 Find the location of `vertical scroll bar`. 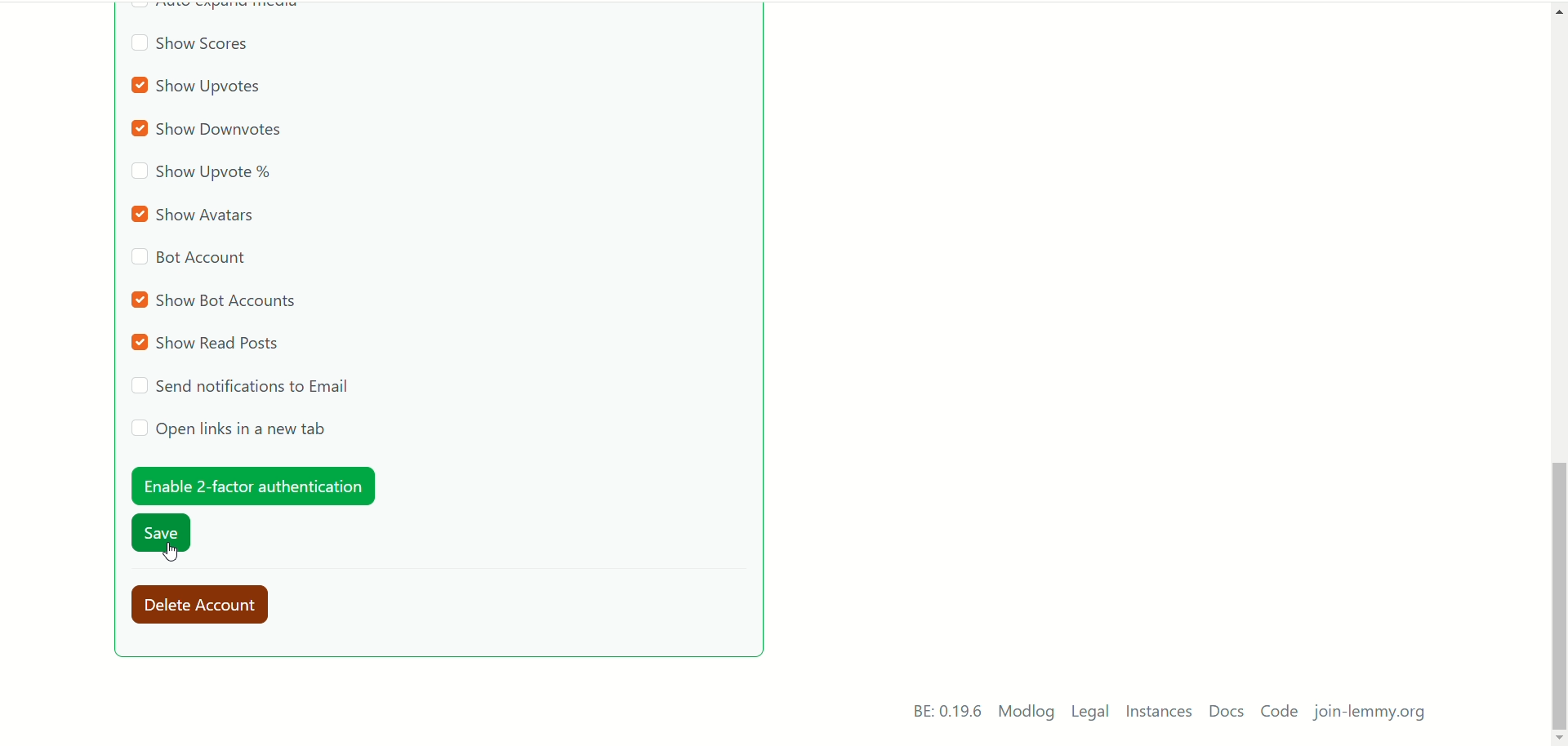

vertical scroll bar is located at coordinates (1558, 367).